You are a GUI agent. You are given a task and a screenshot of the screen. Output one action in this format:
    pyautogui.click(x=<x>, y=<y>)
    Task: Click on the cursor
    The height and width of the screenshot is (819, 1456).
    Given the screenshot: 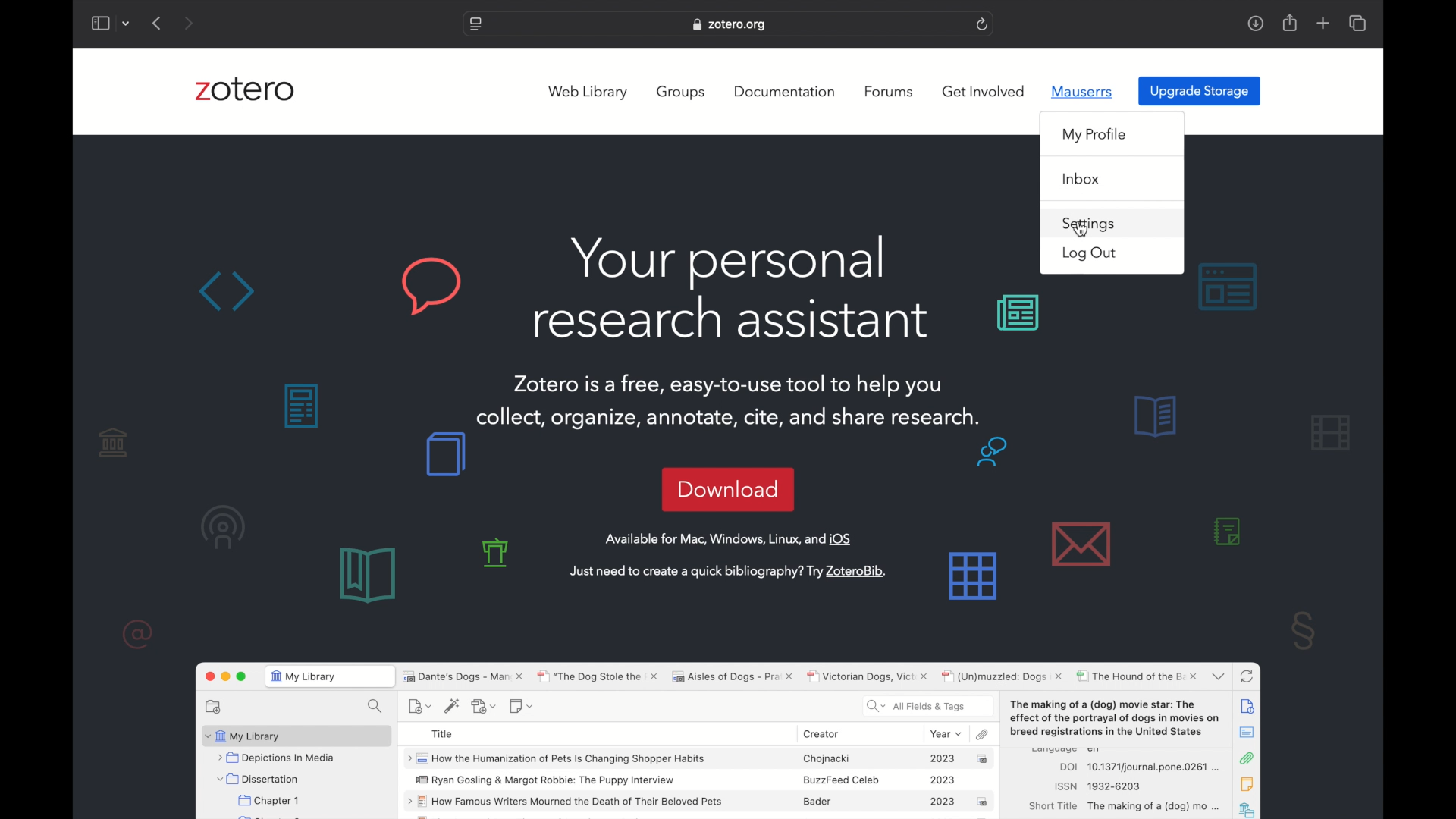 What is the action you would take?
    pyautogui.click(x=1083, y=231)
    